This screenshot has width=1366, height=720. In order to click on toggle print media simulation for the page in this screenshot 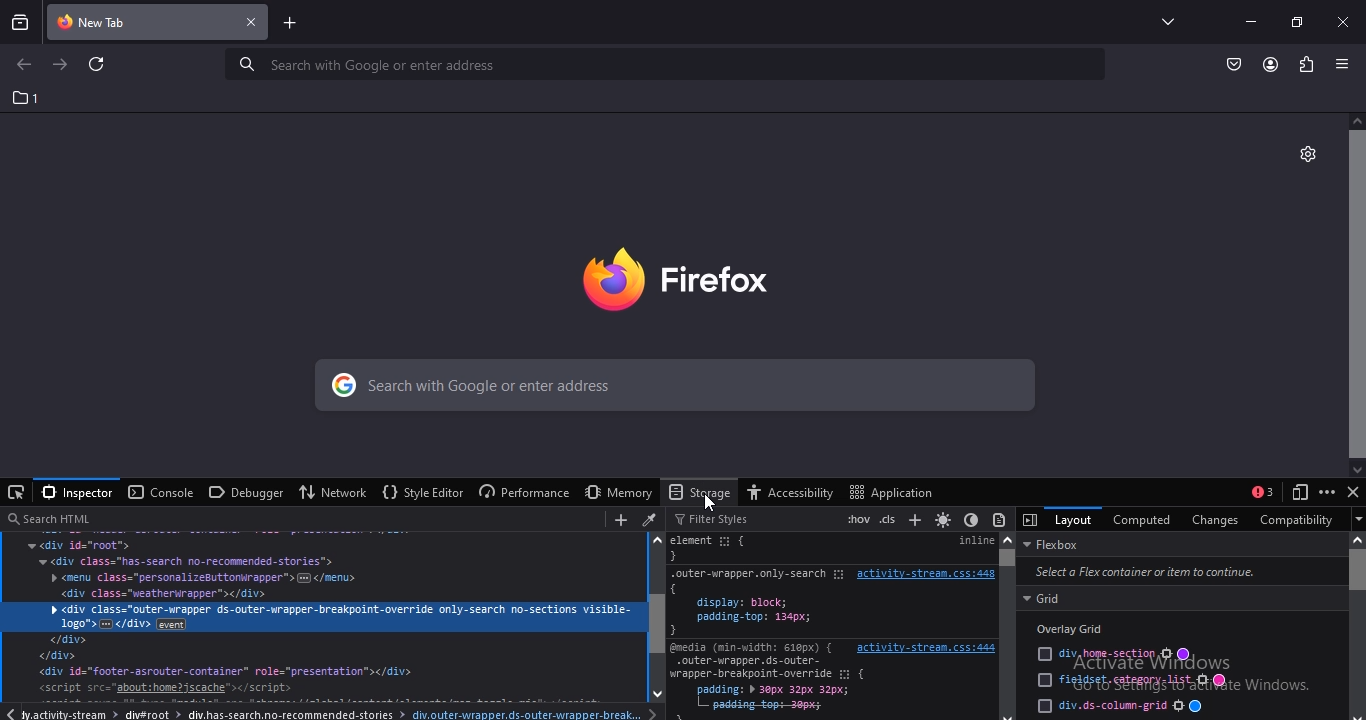, I will do `click(1000, 520)`.